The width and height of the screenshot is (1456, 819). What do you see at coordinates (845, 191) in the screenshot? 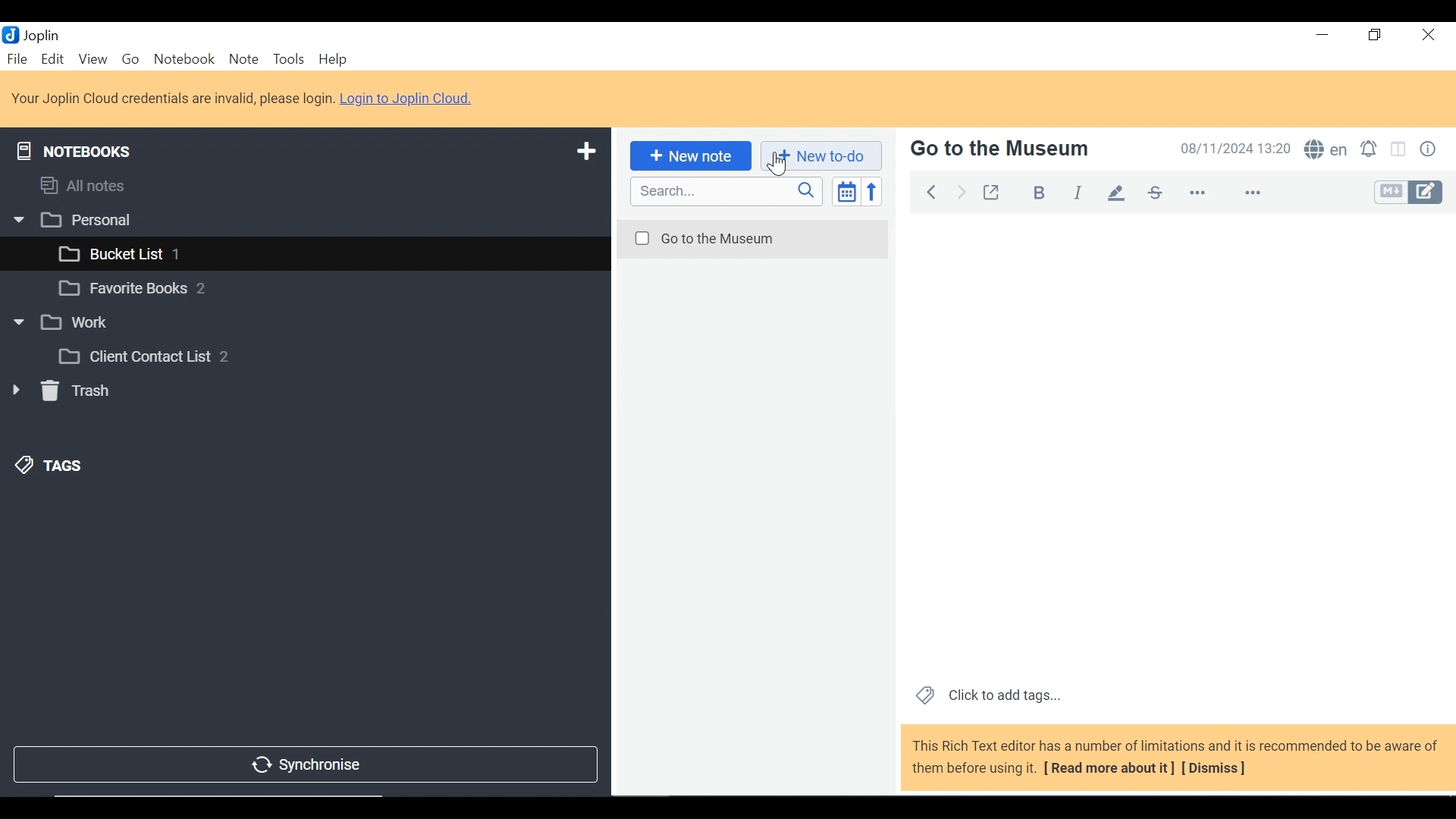
I see `Toggle sort editor list` at bounding box center [845, 191].